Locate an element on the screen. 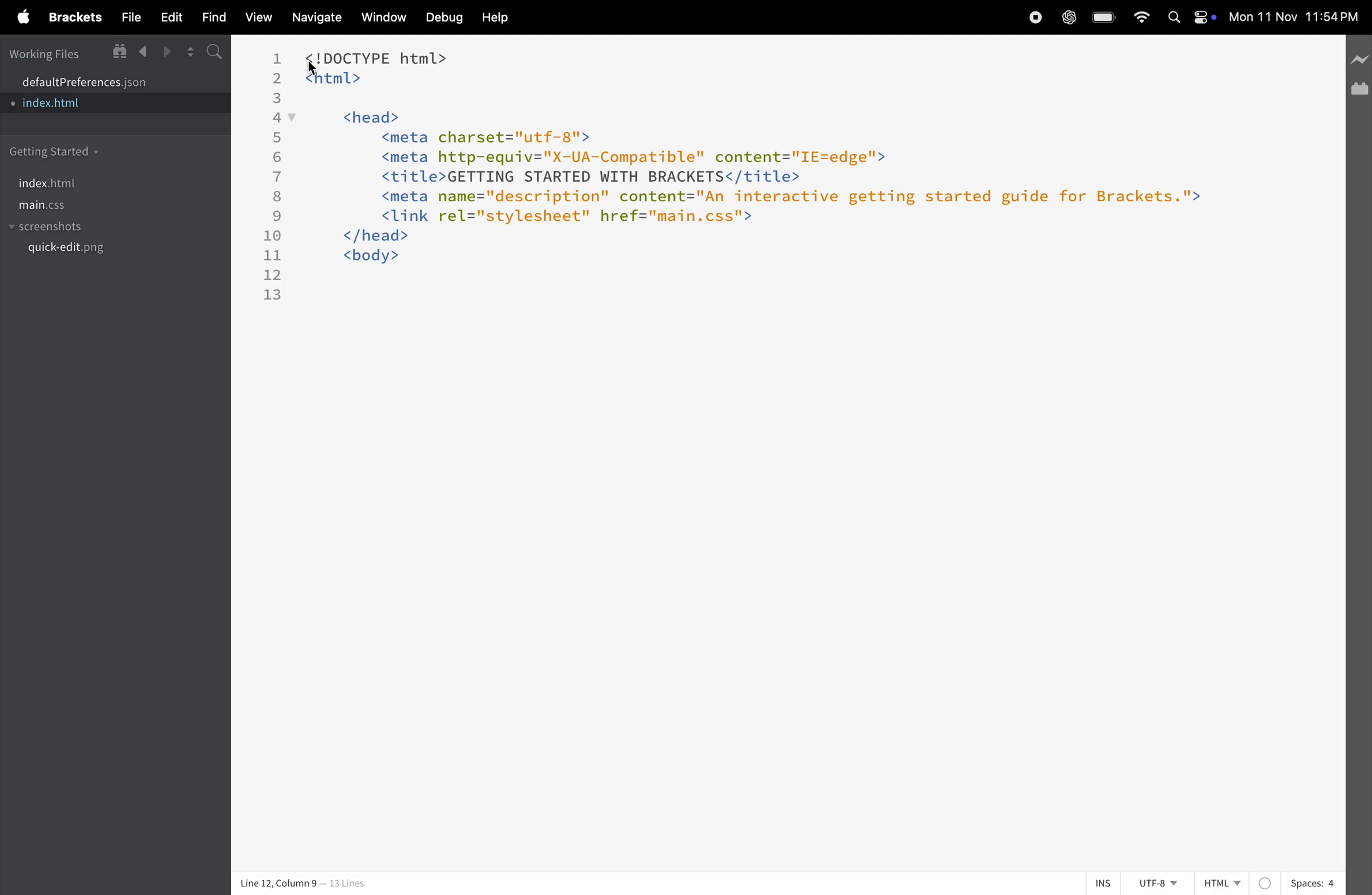 The height and width of the screenshot is (895, 1372). find is located at coordinates (216, 17).